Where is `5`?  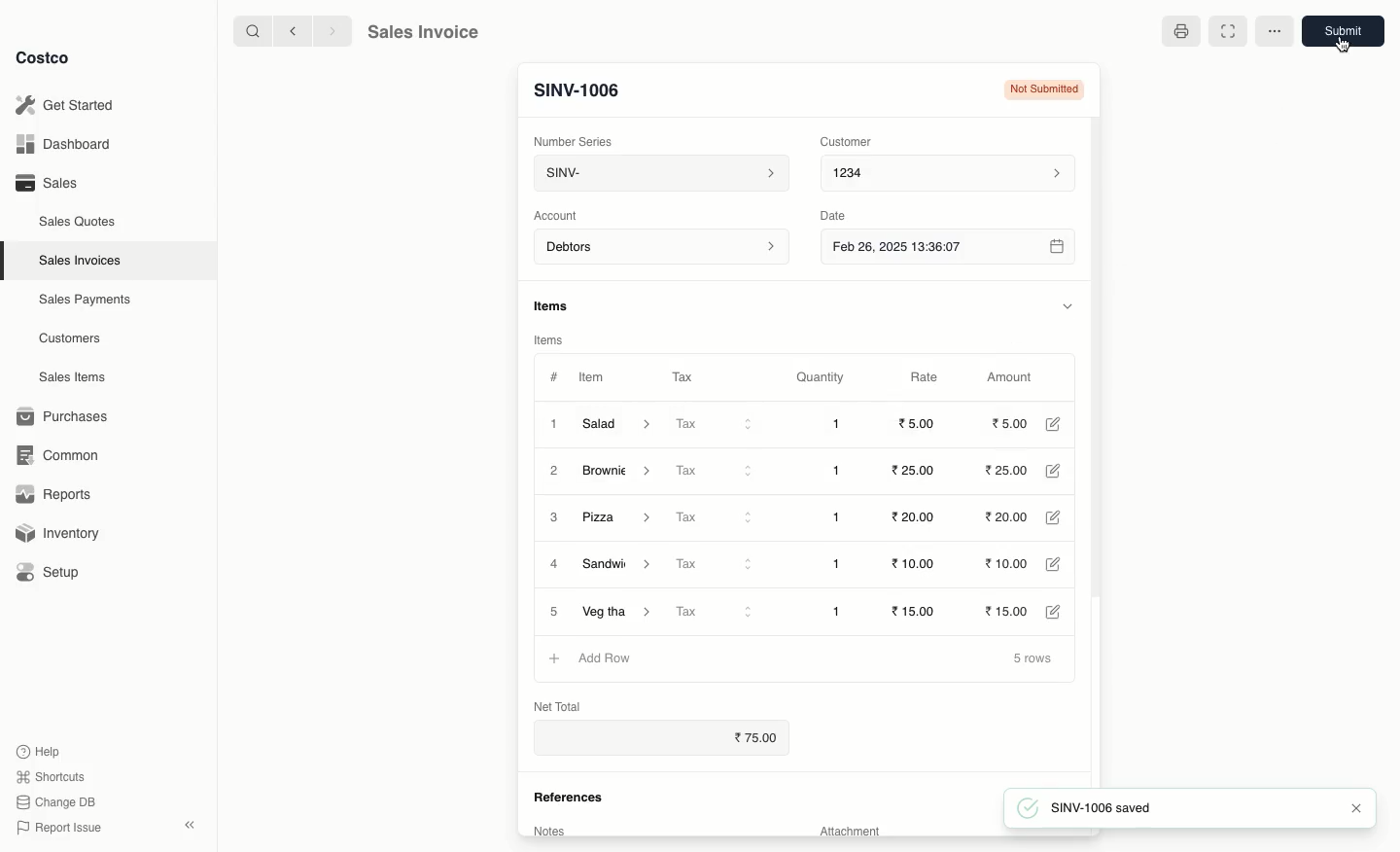
5 is located at coordinates (553, 610).